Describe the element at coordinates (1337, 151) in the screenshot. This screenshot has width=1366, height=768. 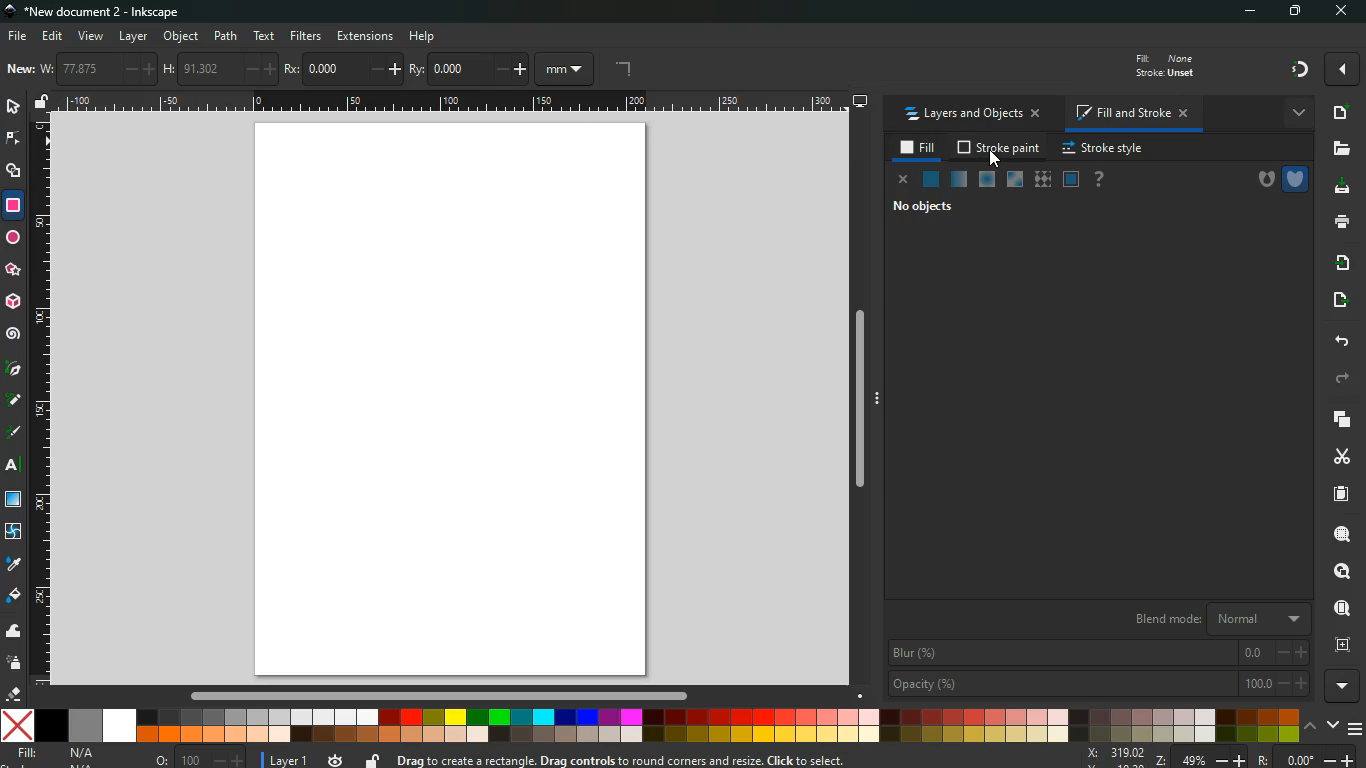
I see `files` at that location.